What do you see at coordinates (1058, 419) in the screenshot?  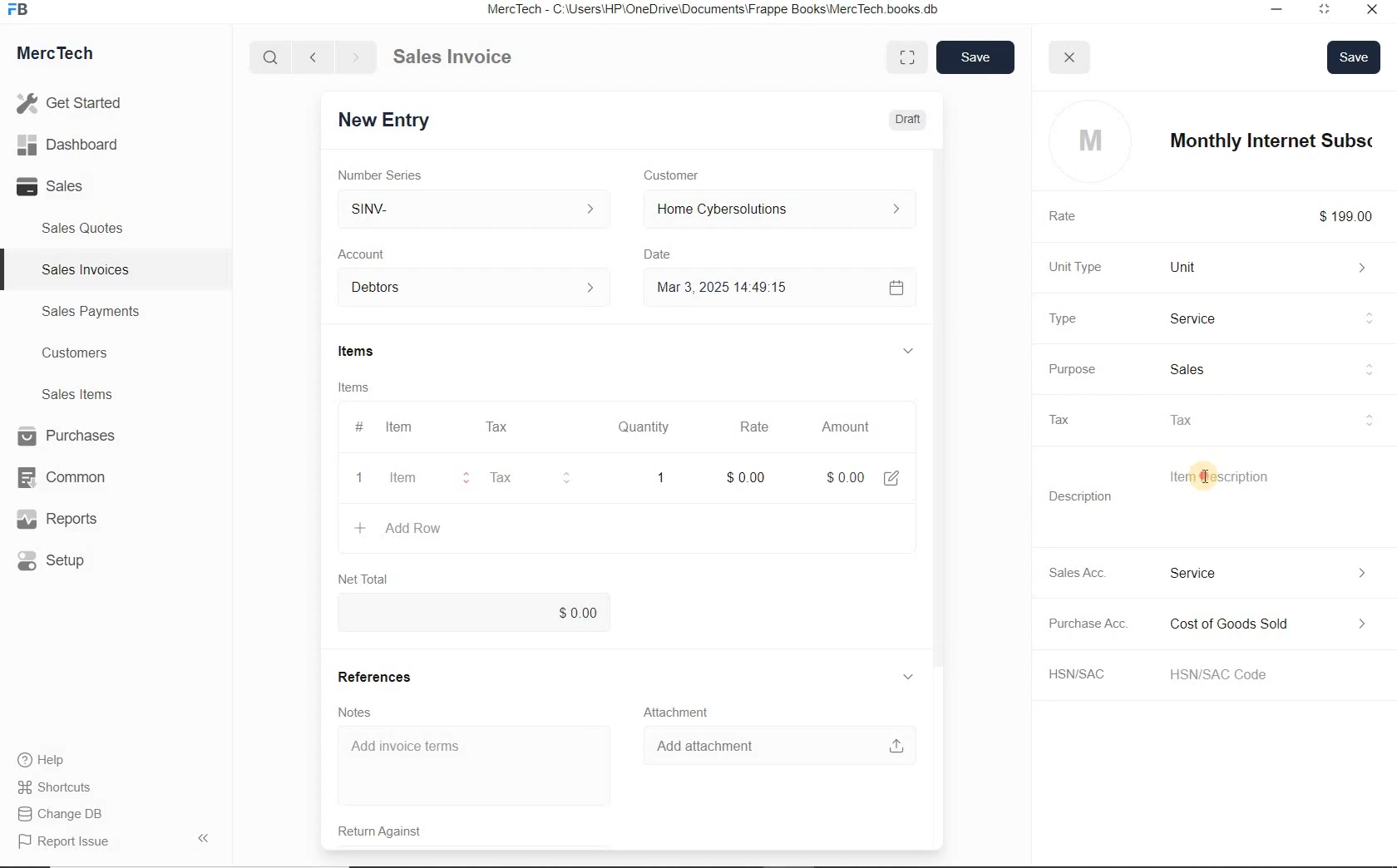 I see `Tax` at bounding box center [1058, 419].